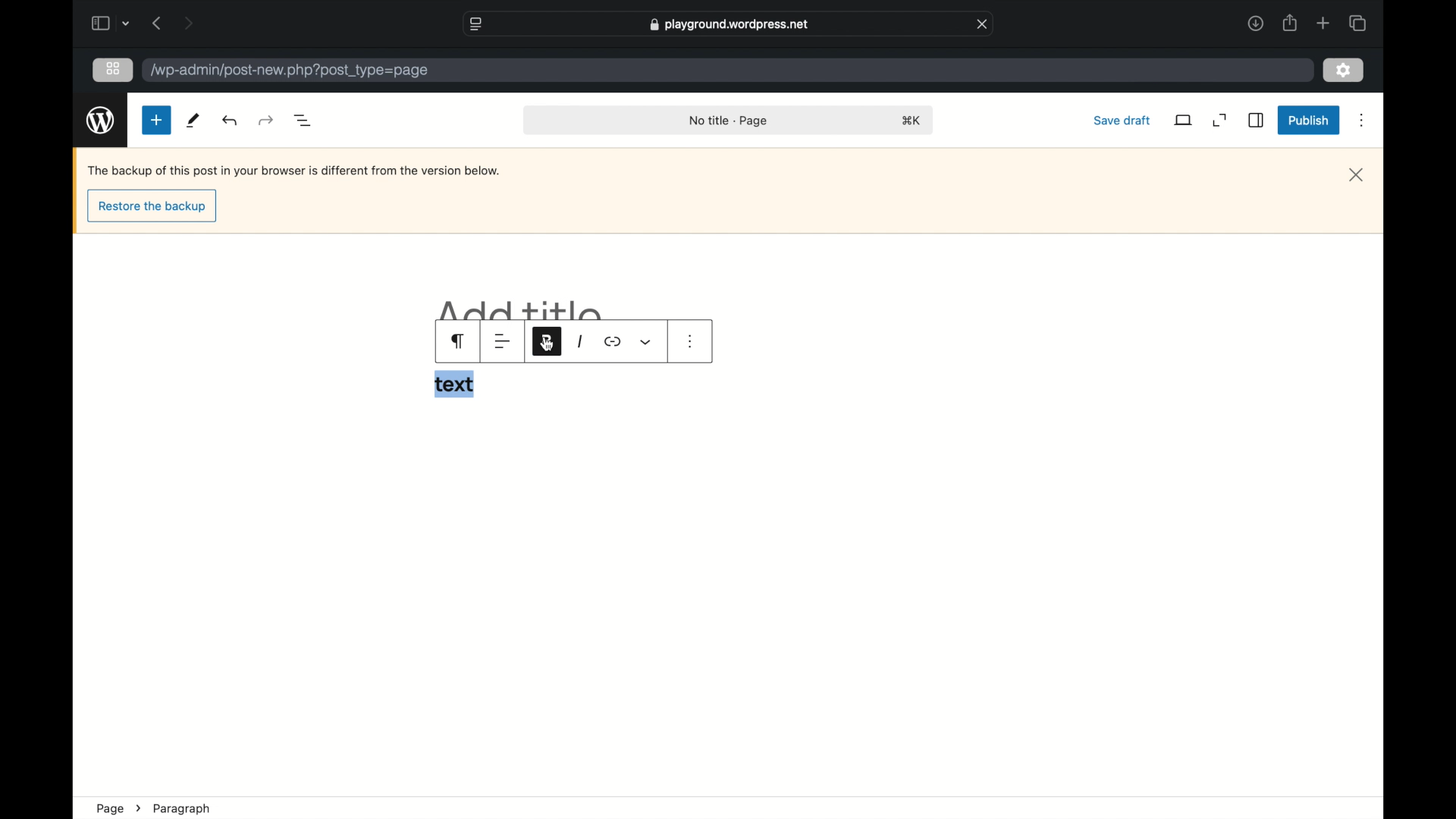 The image size is (1456, 819). Describe the element at coordinates (548, 345) in the screenshot. I see `cursor` at that location.